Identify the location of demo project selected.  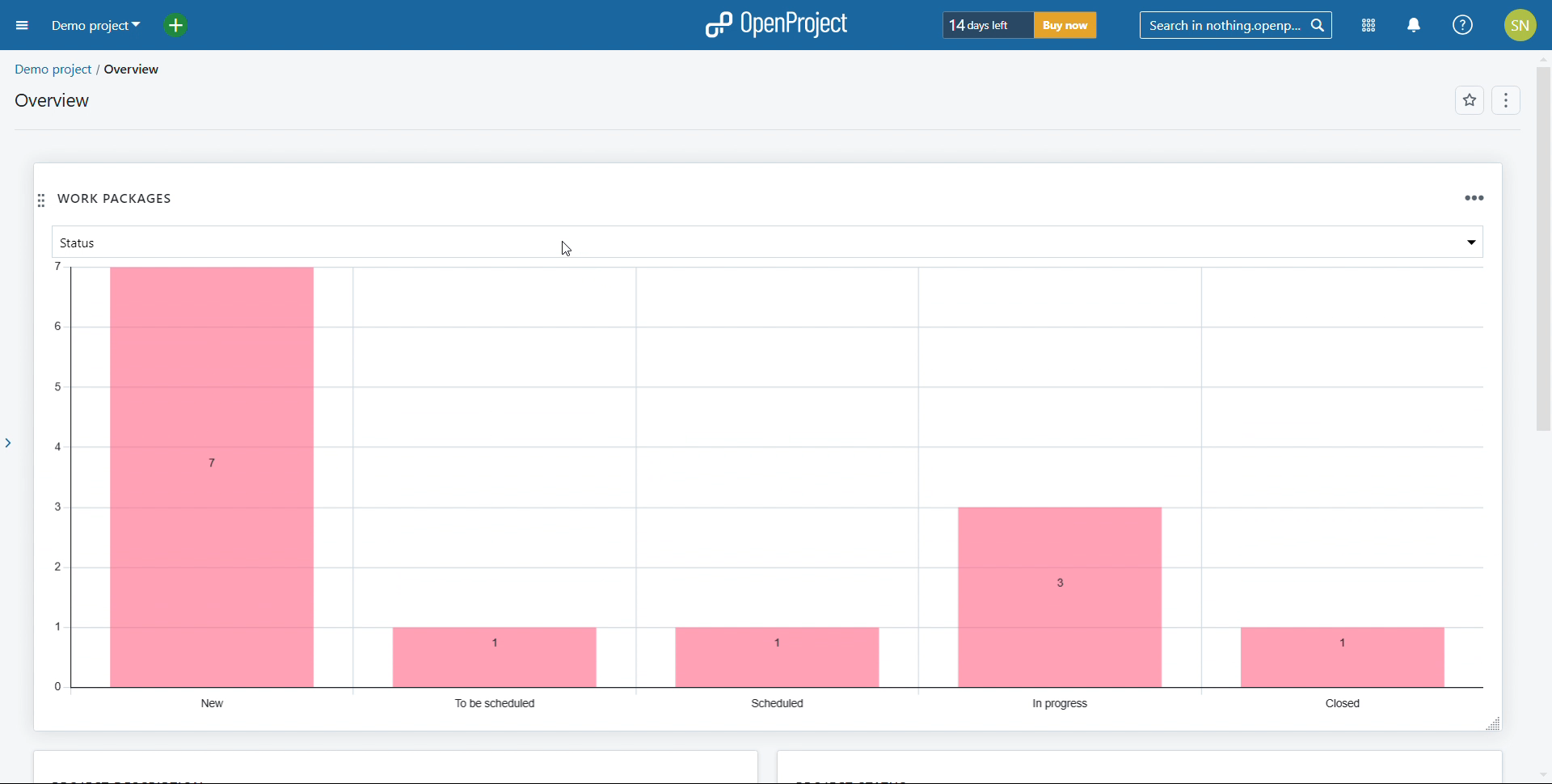
(96, 27).